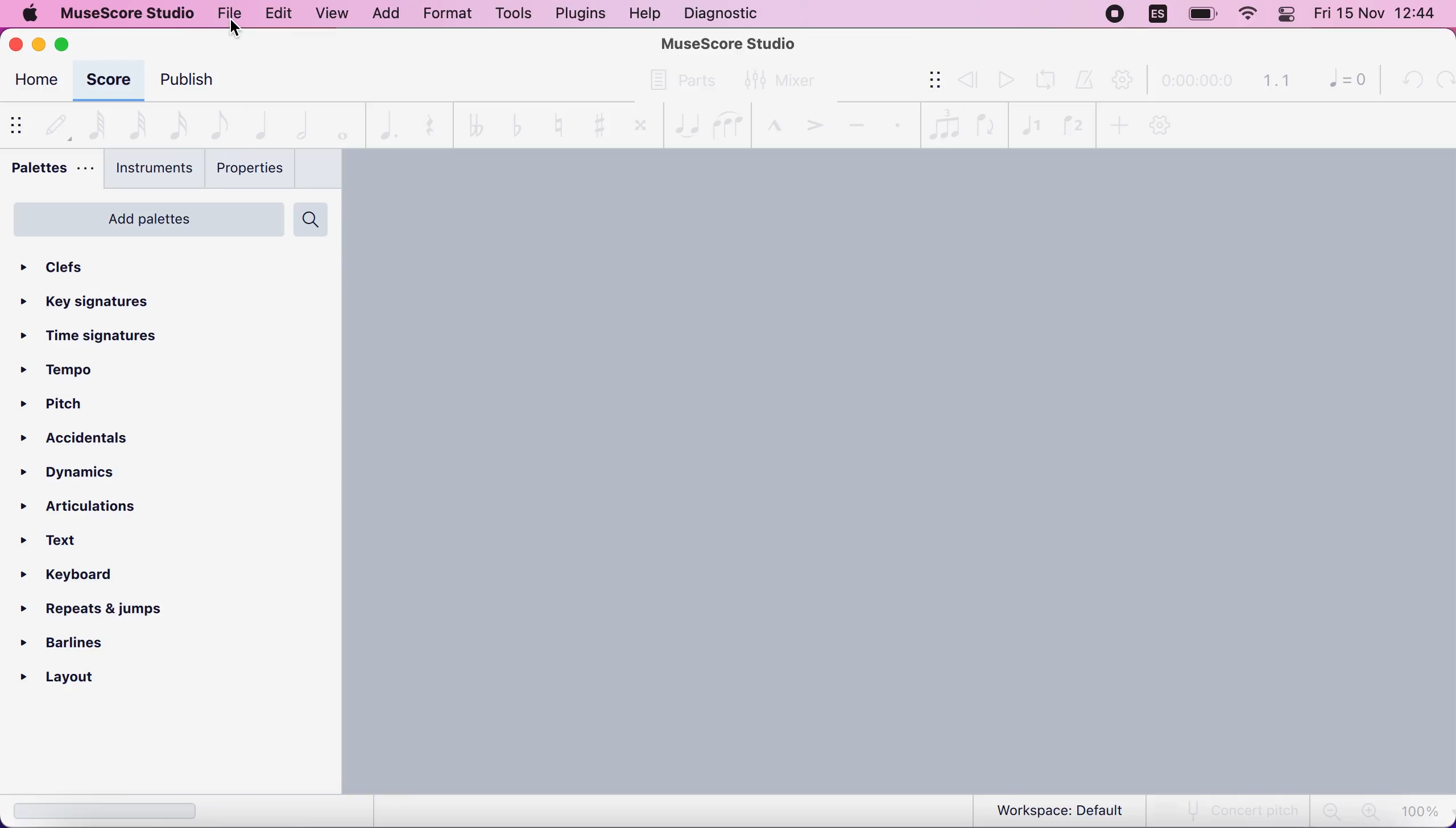 The height and width of the screenshot is (828, 1456). I want to click on pitch, so click(59, 406).